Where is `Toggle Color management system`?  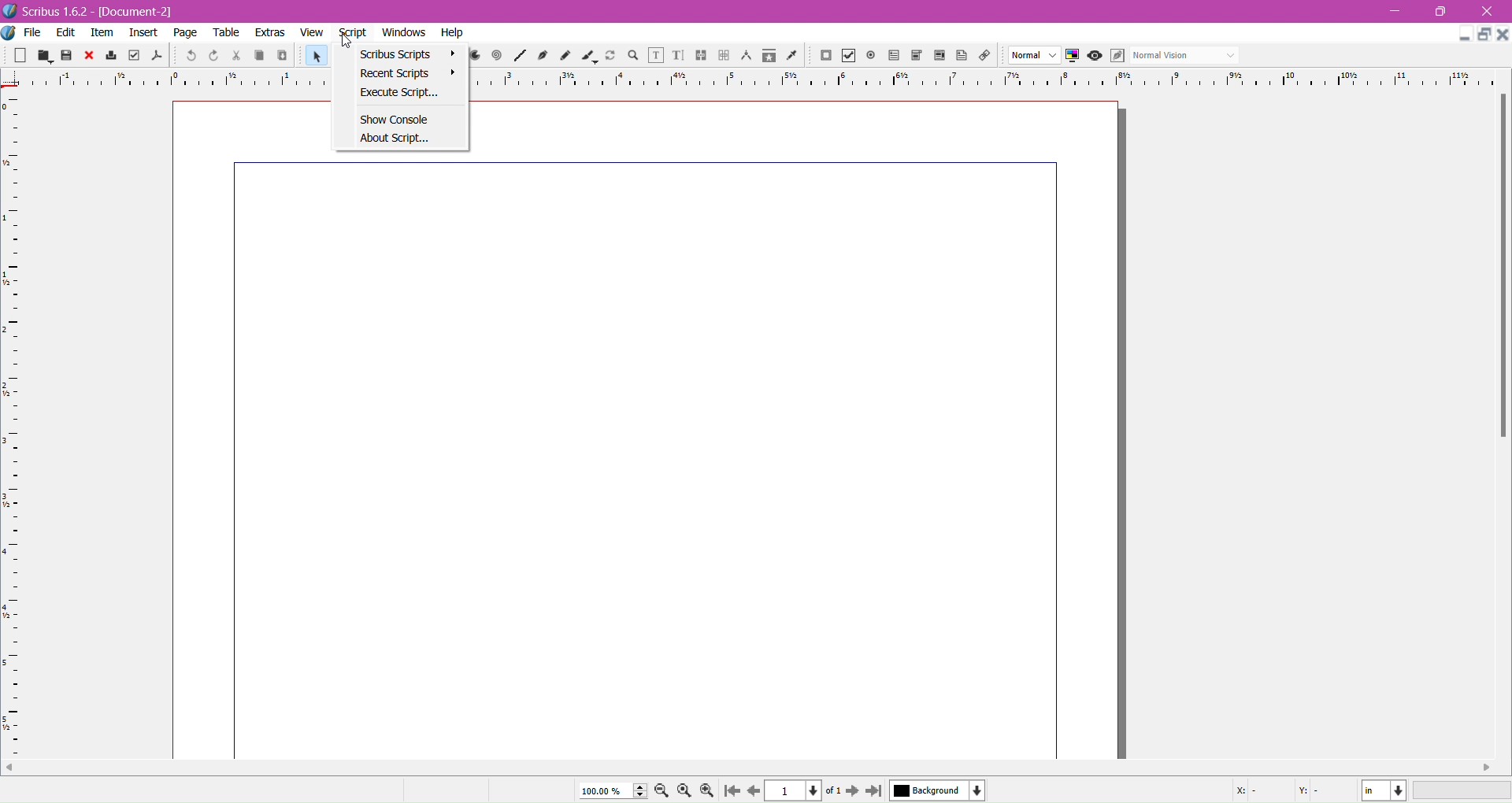 Toggle Color management system is located at coordinates (1073, 56).